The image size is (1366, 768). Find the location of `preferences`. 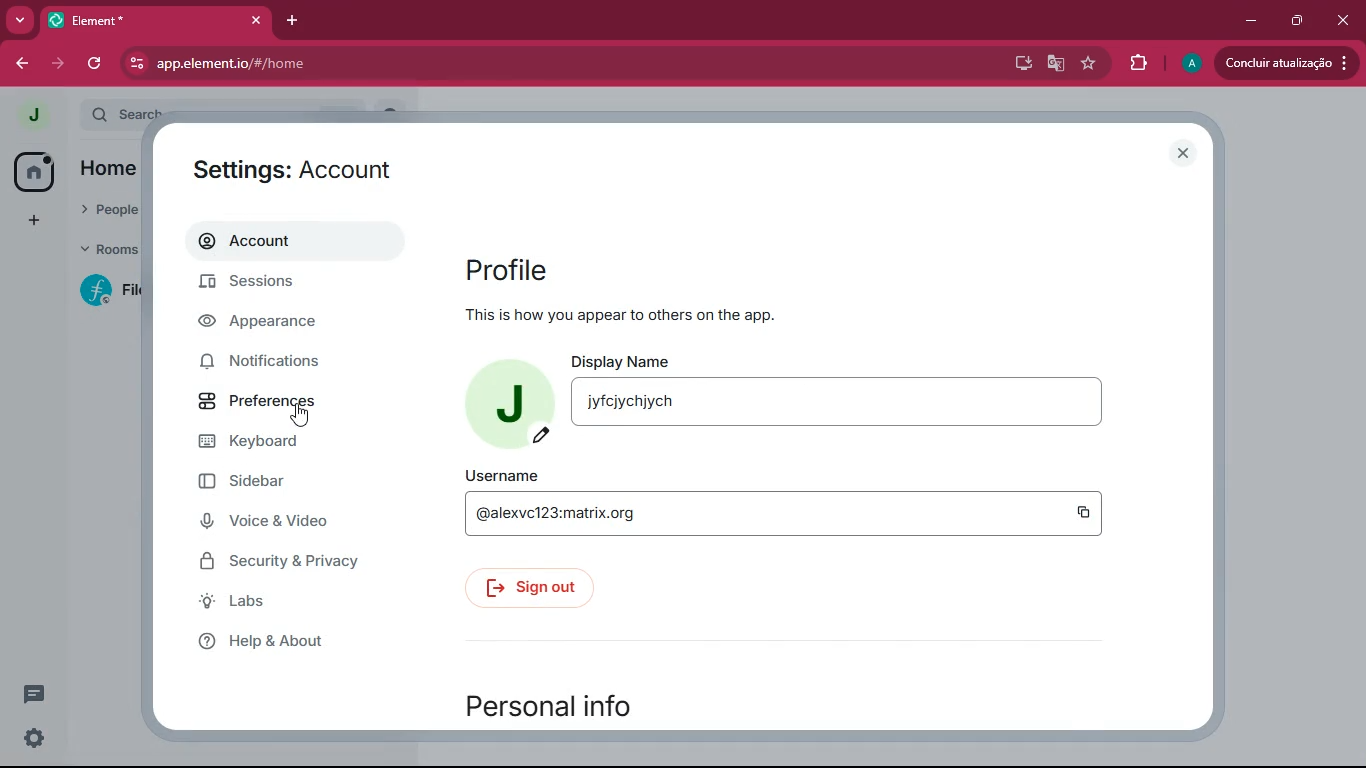

preferences is located at coordinates (273, 409).